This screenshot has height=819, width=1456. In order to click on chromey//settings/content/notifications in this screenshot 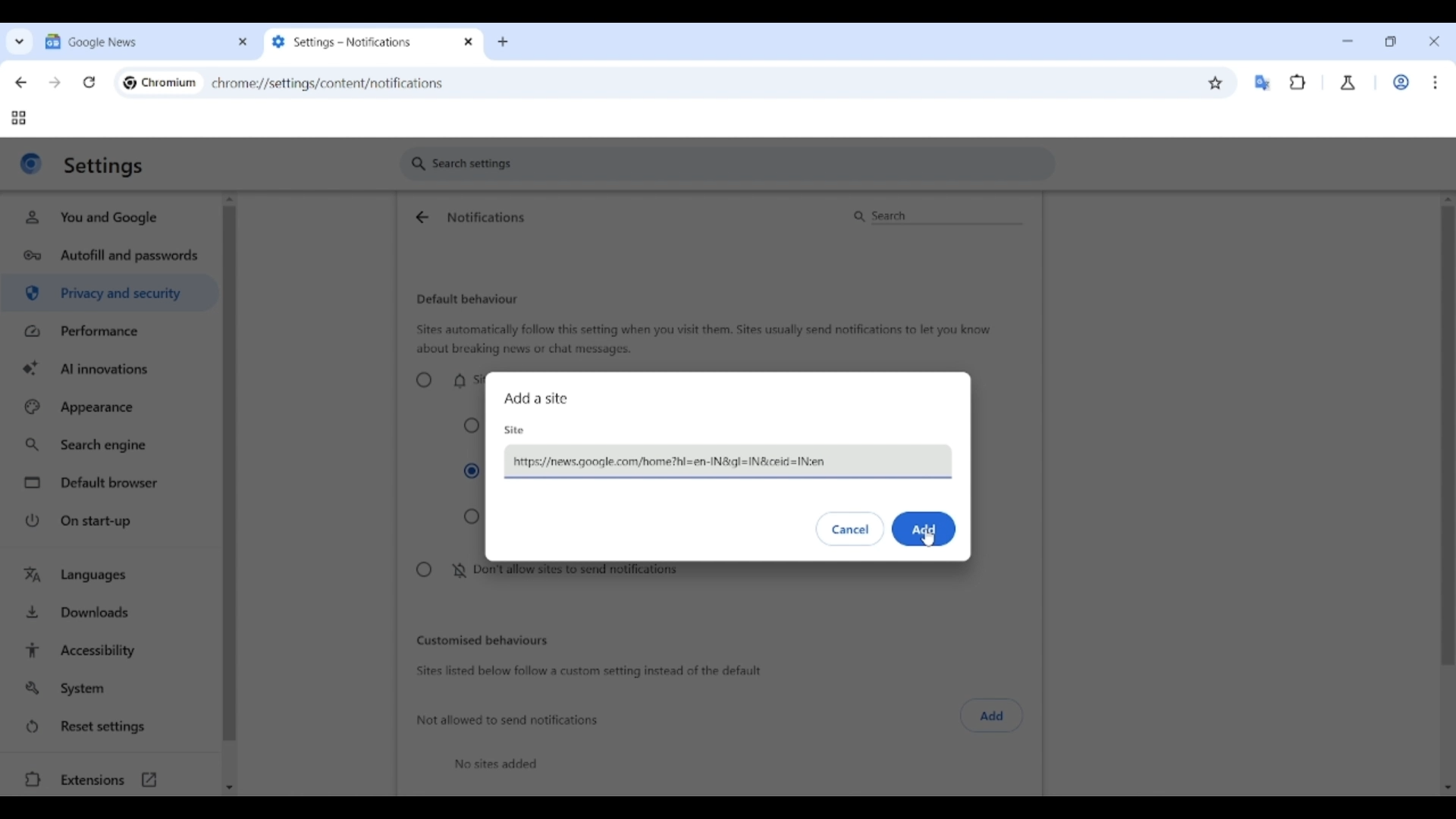, I will do `click(328, 82)`.